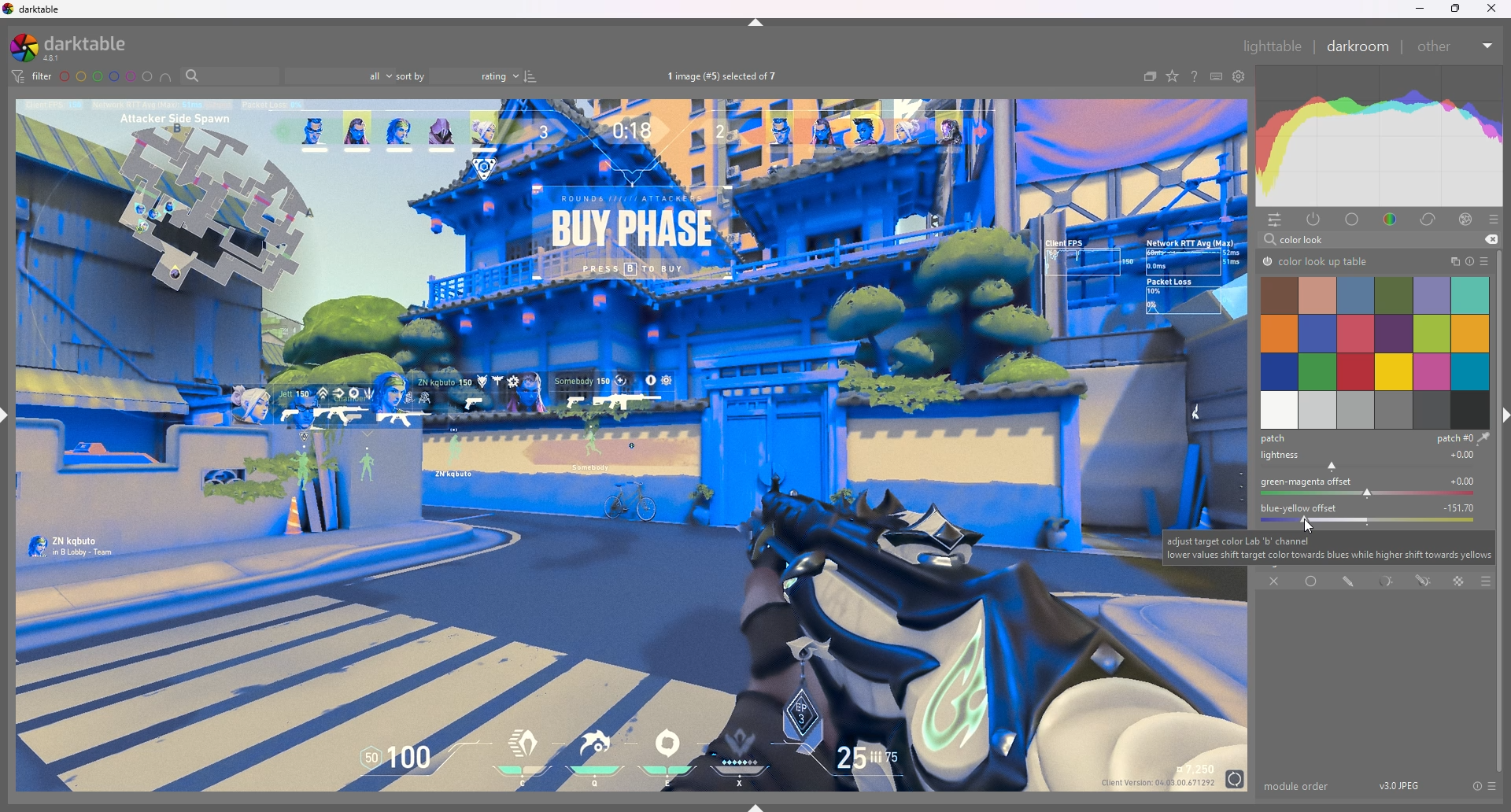 The width and height of the screenshot is (1511, 812). What do you see at coordinates (1310, 523) in the screenshot?
I see `cursor` at bounding box center [1310, 523].